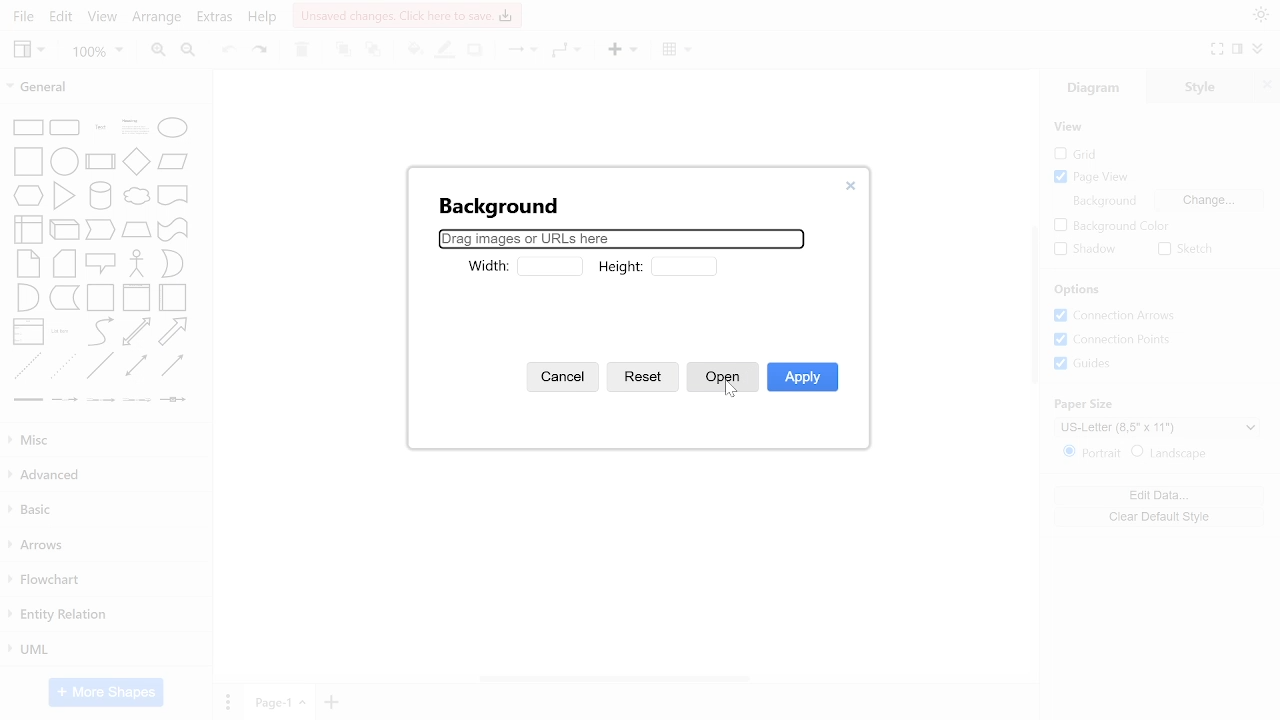 The image size is (1280, 720). Describe the element at coordinates (851, 186) in the screenshot. I see `close` at that location.